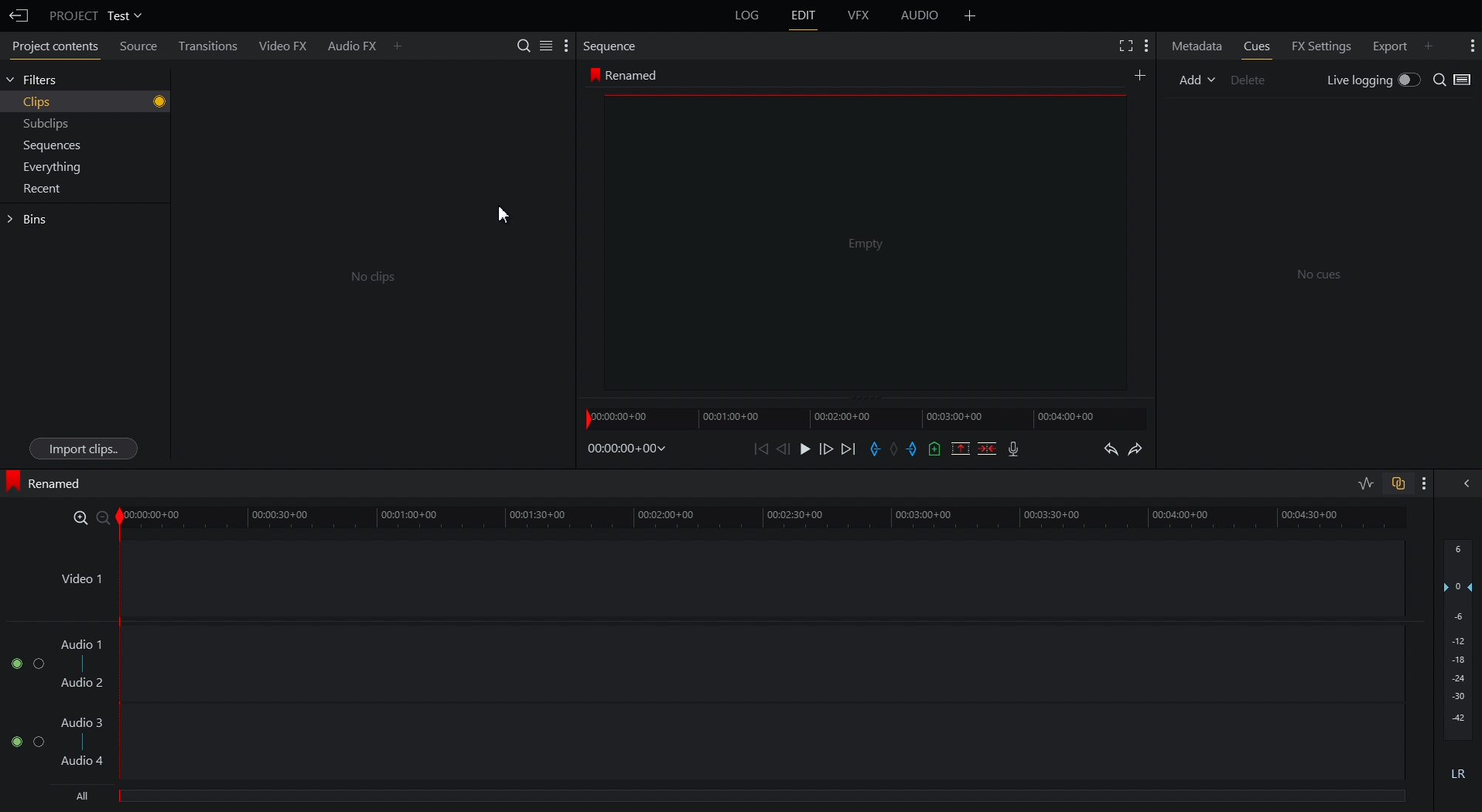  Describe the element at coordinates (867, 415) in the screenshot. I see `Timeline` at that location.